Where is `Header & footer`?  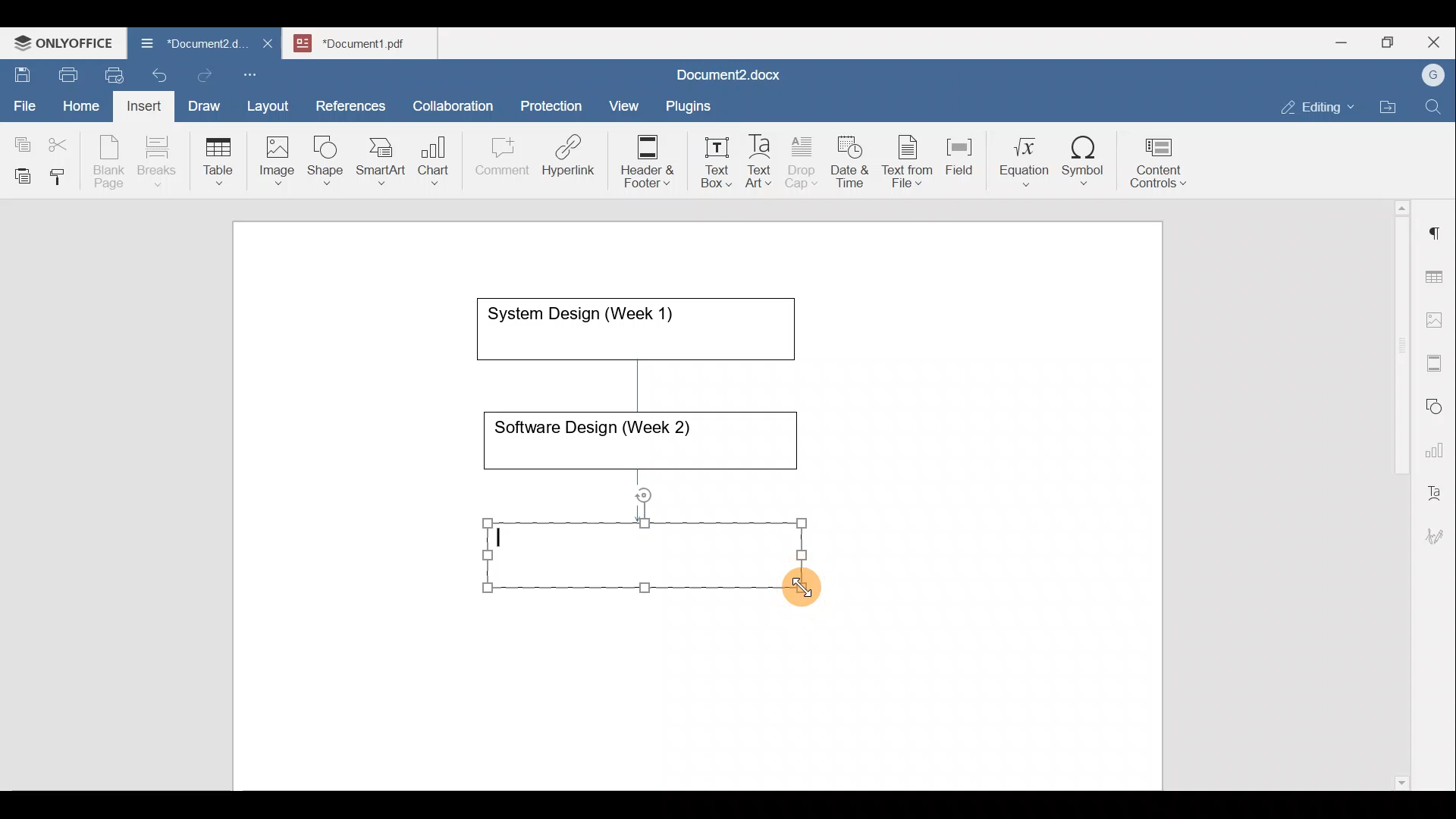
Header & footer is located at coordinates (642, 160).